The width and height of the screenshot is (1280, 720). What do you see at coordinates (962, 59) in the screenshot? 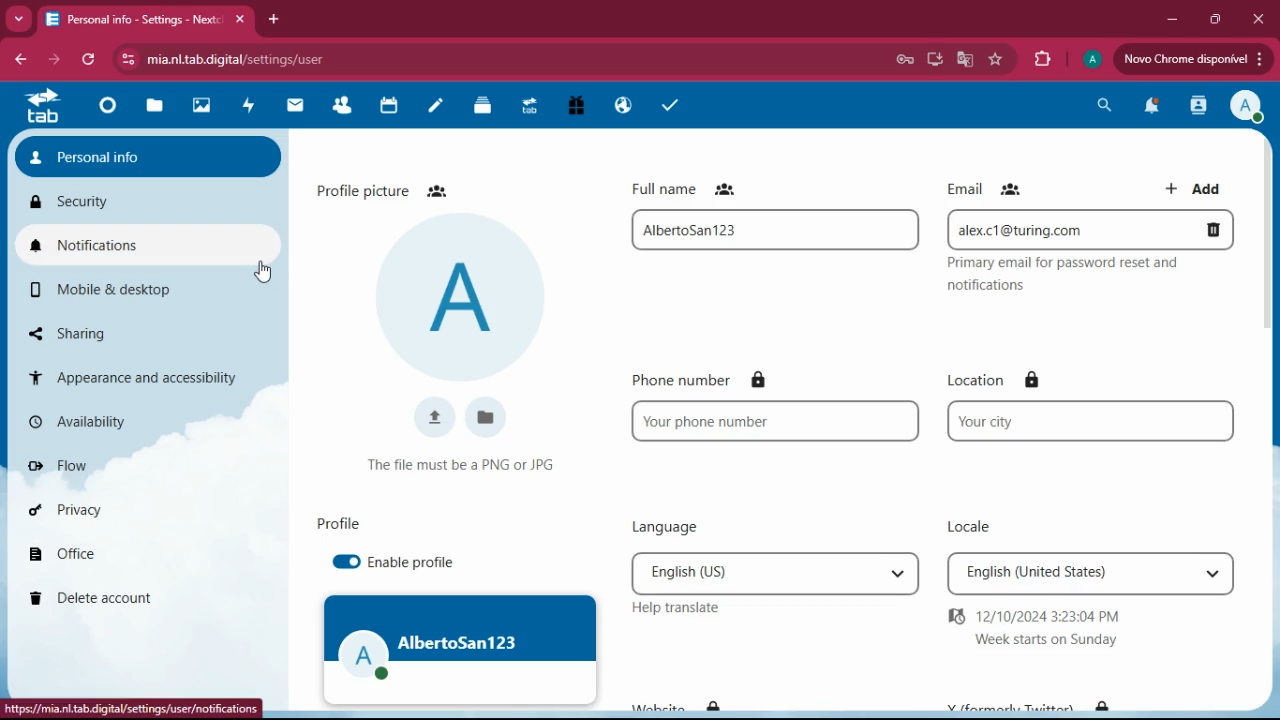
I see `google translate` at bounding box center [962, 59].